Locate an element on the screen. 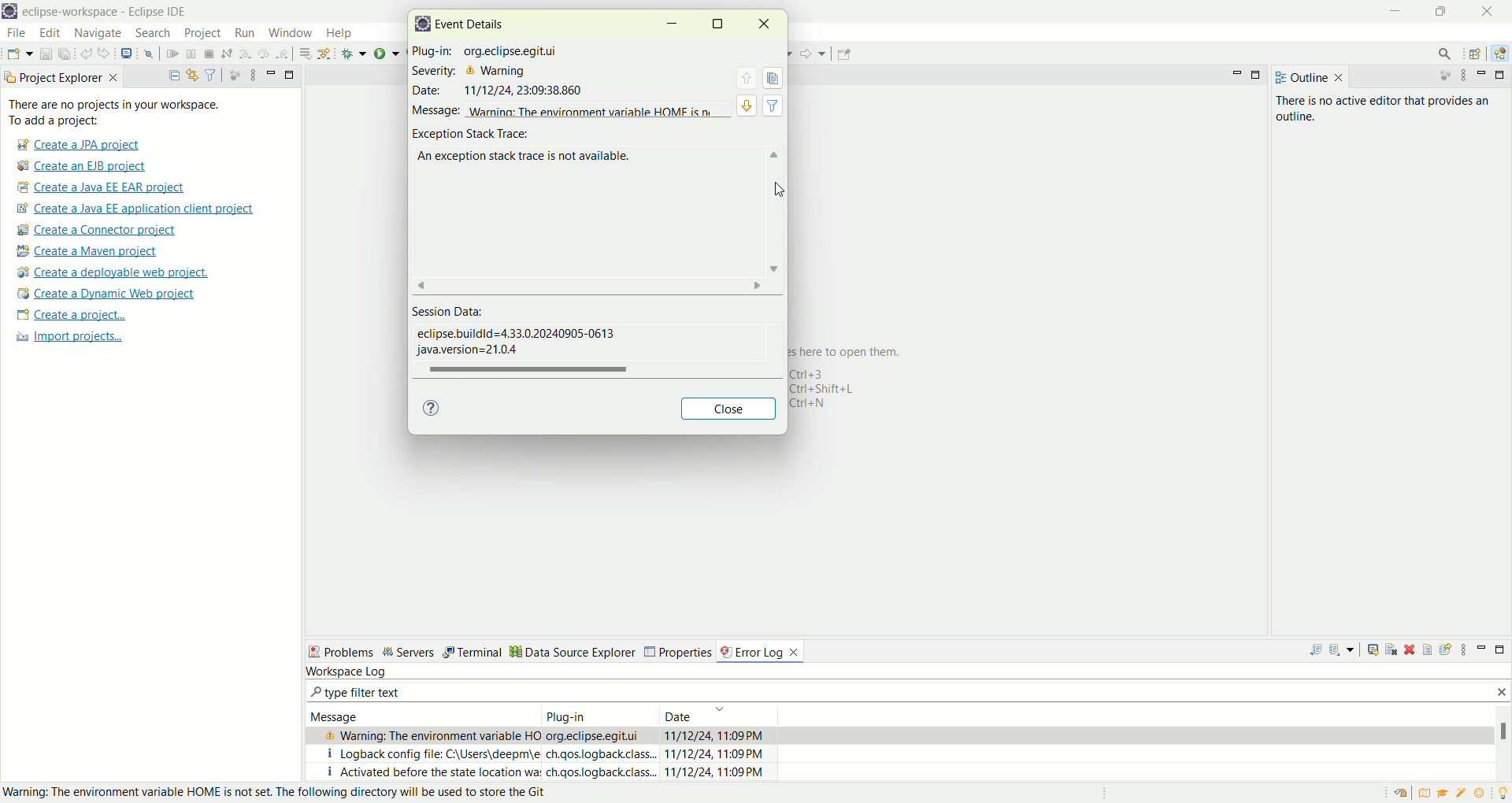  session data is located at coordinates (448, 312).